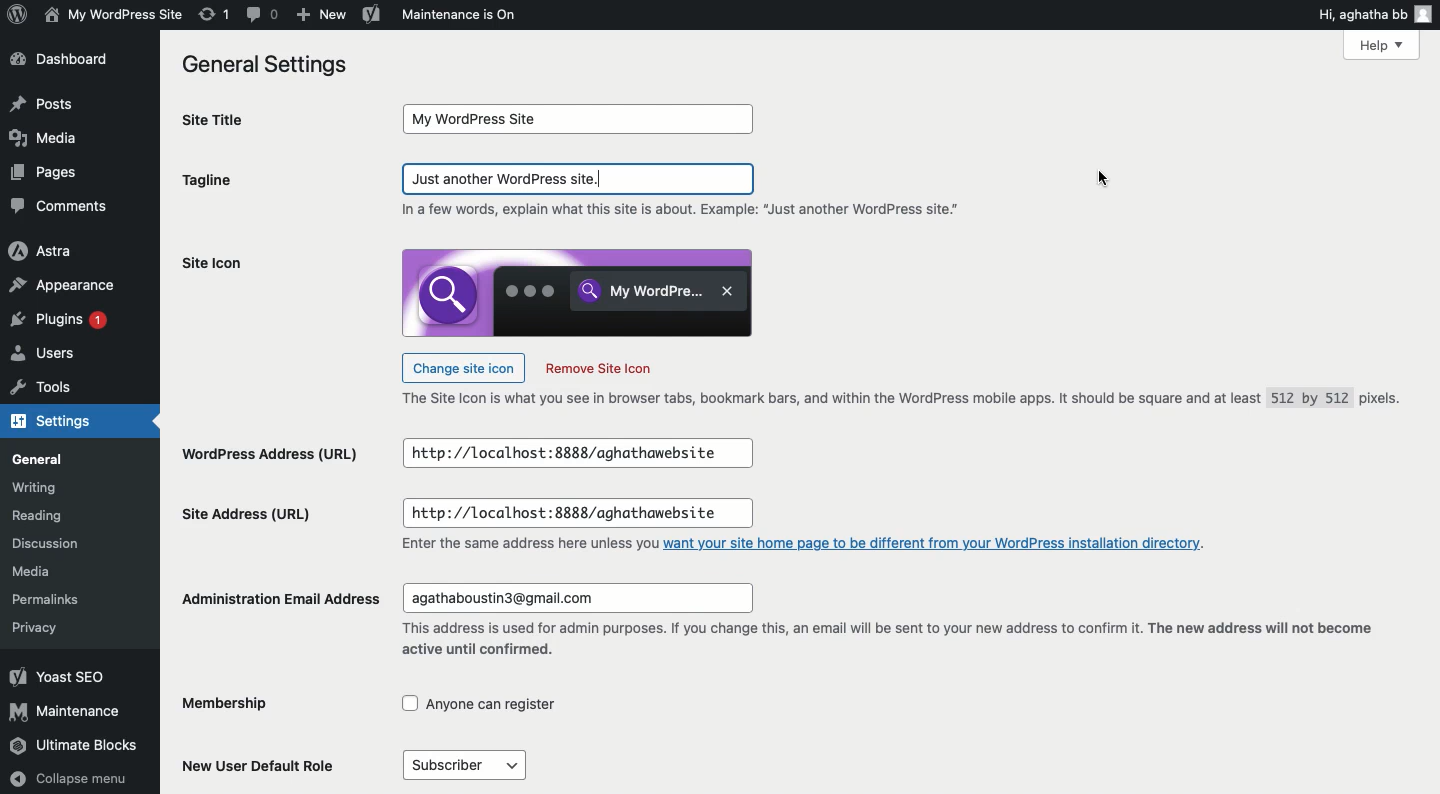  What do you see at coordinates (35, 487) in the screenshot?
I see `Writing` at bounding box center [35, 487].